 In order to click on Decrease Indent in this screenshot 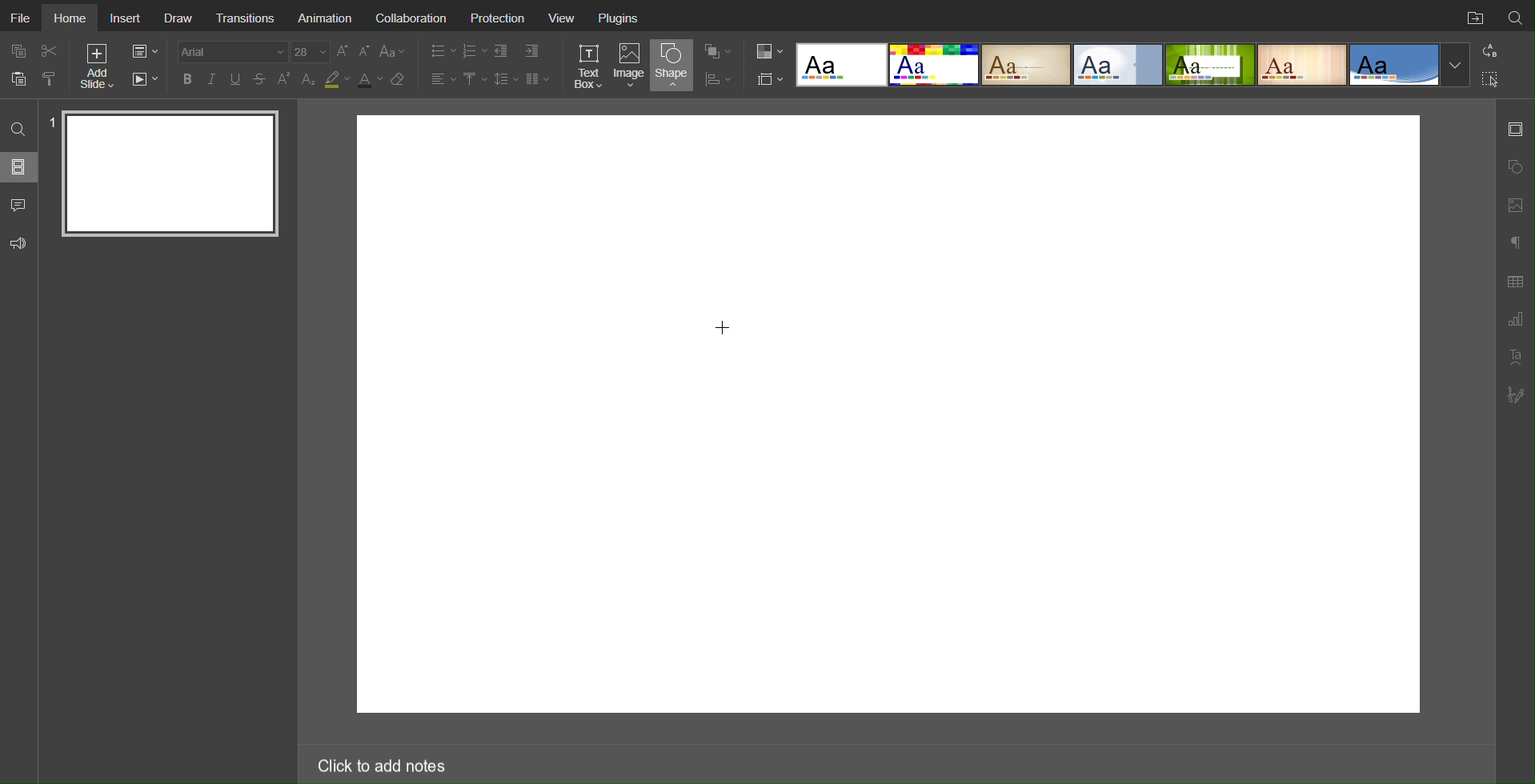, I will do `click(503, 51)`.